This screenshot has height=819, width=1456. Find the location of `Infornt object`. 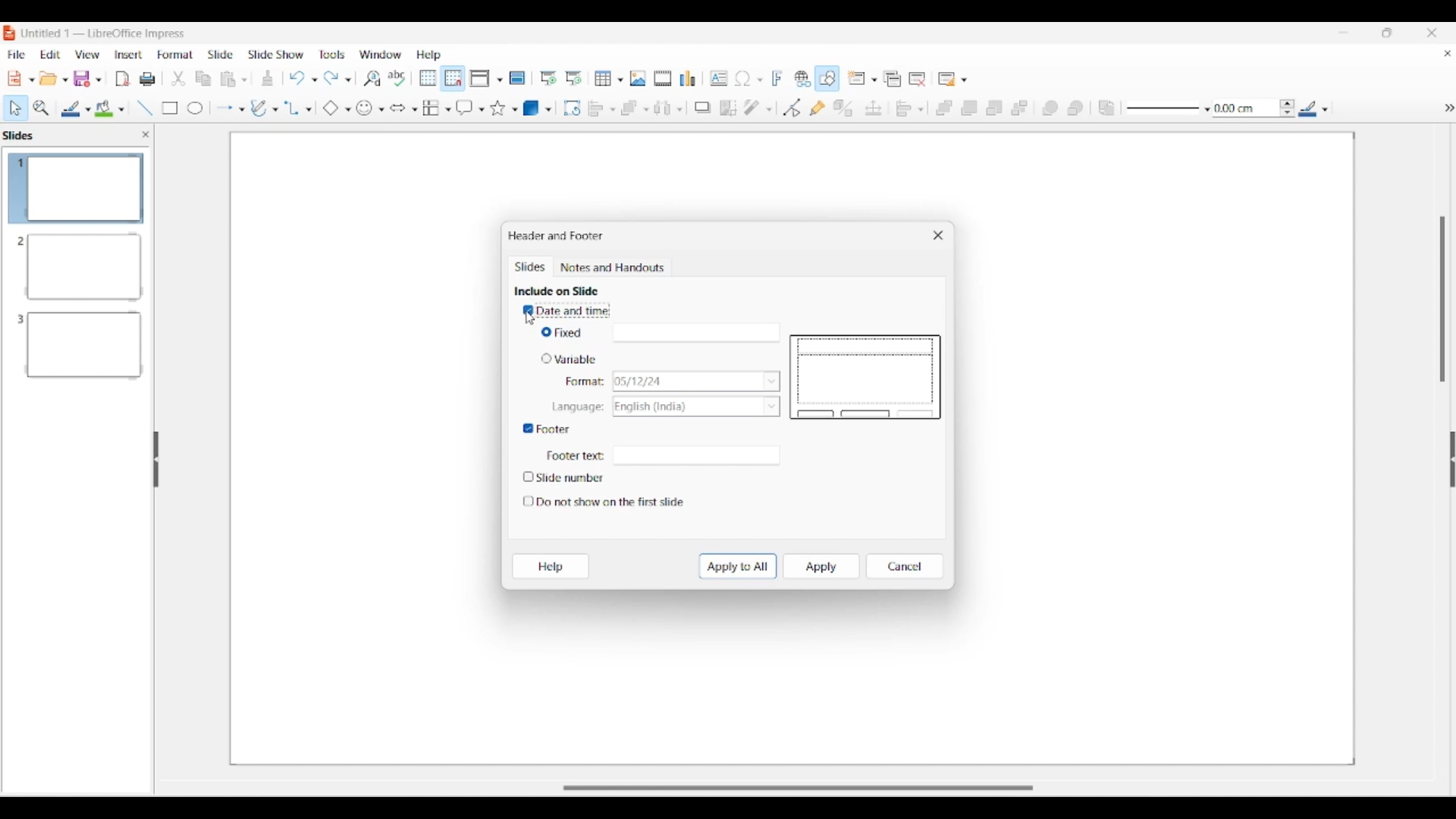

Infornt object is located at coordinates (1050, 108).